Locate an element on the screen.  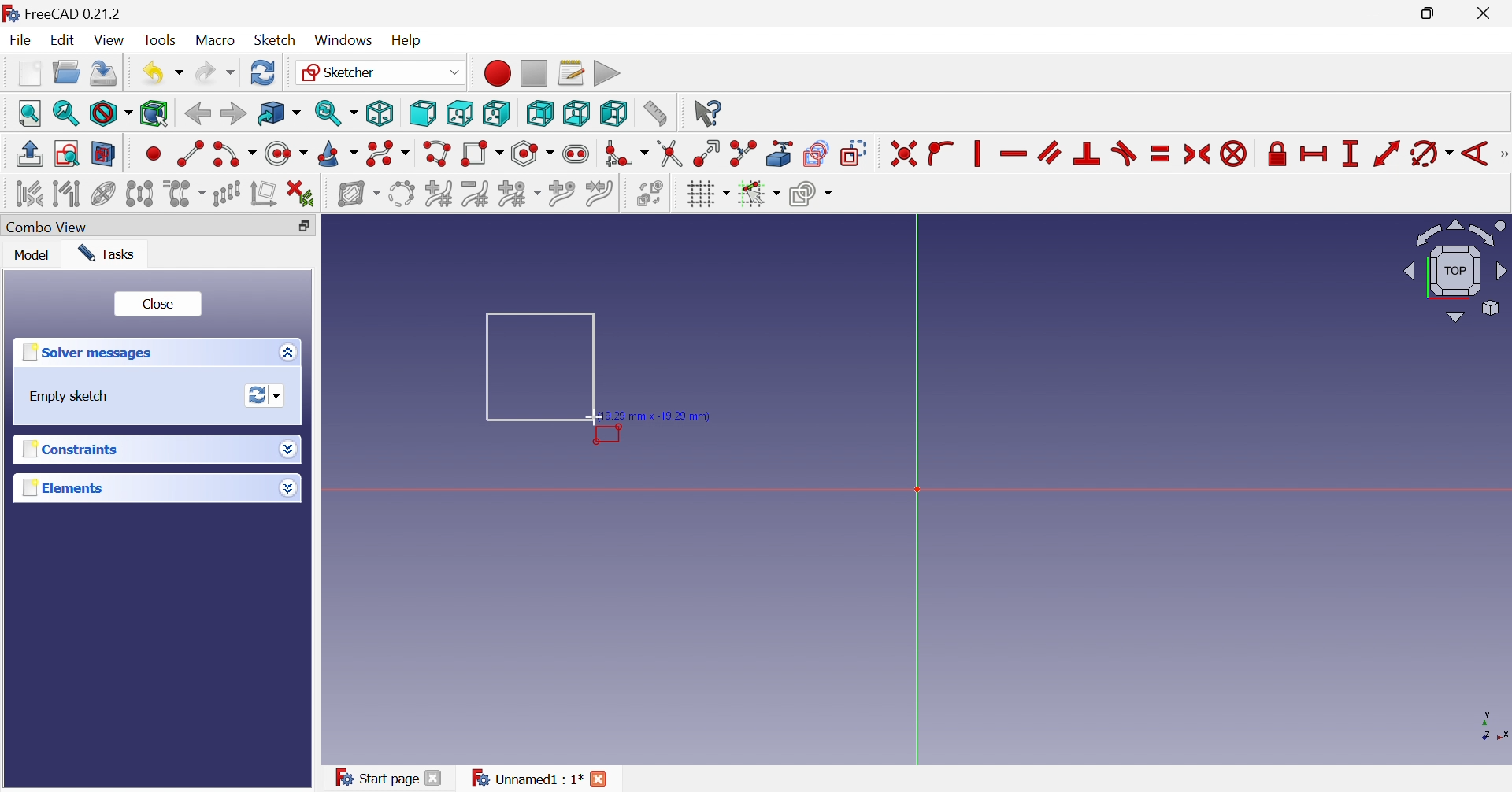
Restore Down is located at coordinates (1432, 15).